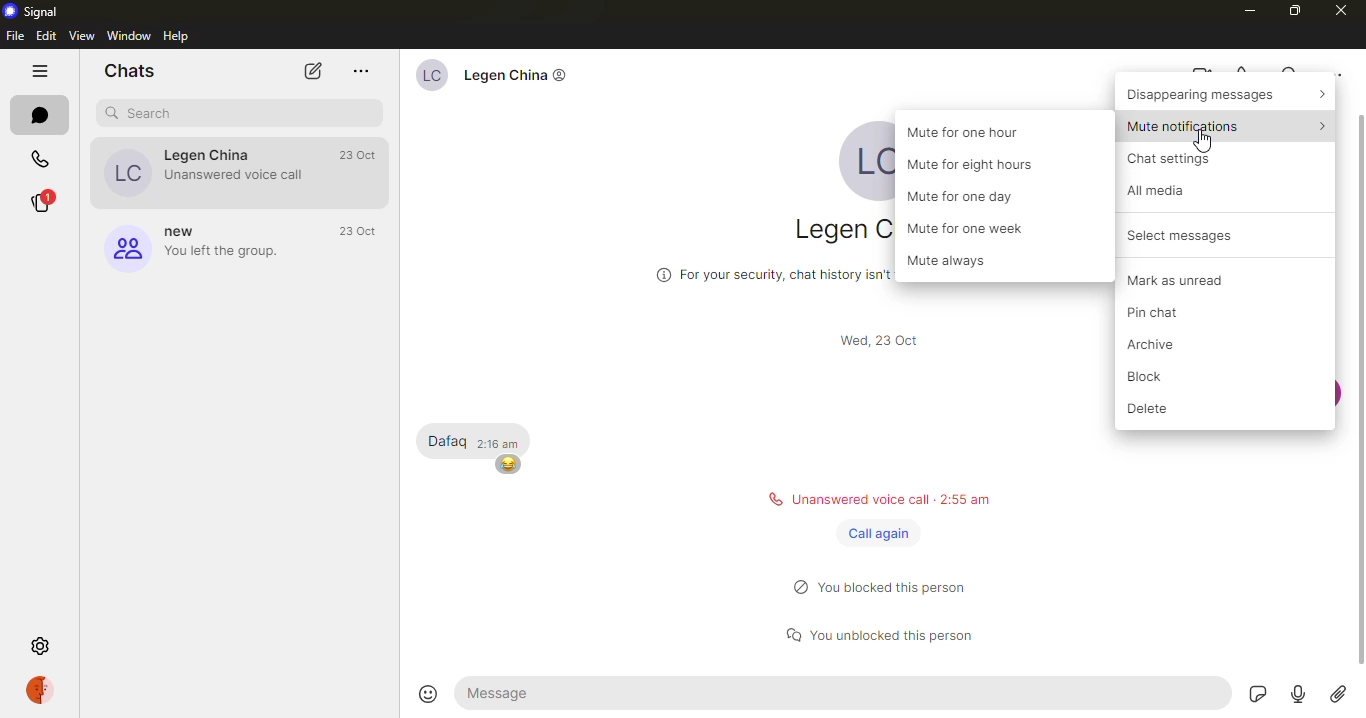 Image resolution: width=1366 pixels, height=718 pixels. I want to click on cursor, so click(1202, 143).